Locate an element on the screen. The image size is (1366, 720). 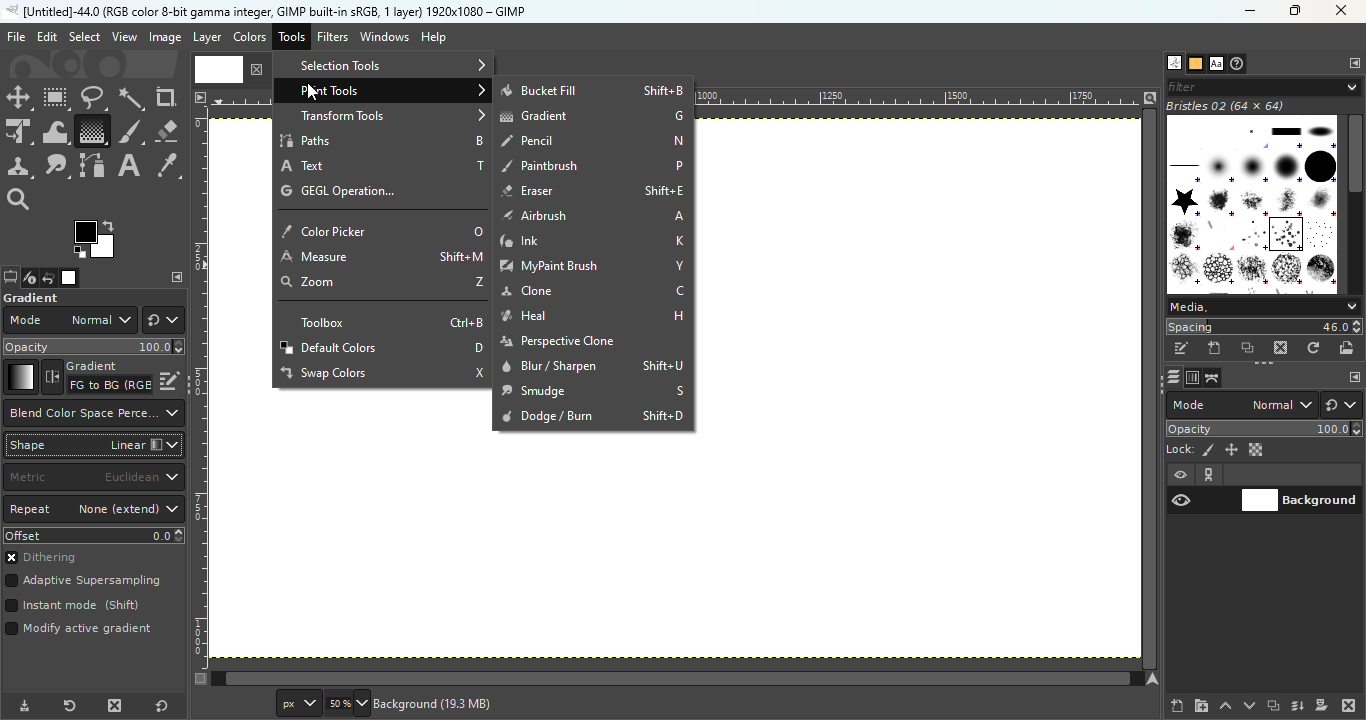
Blur/sharpen is located at coordinates (593, 365).